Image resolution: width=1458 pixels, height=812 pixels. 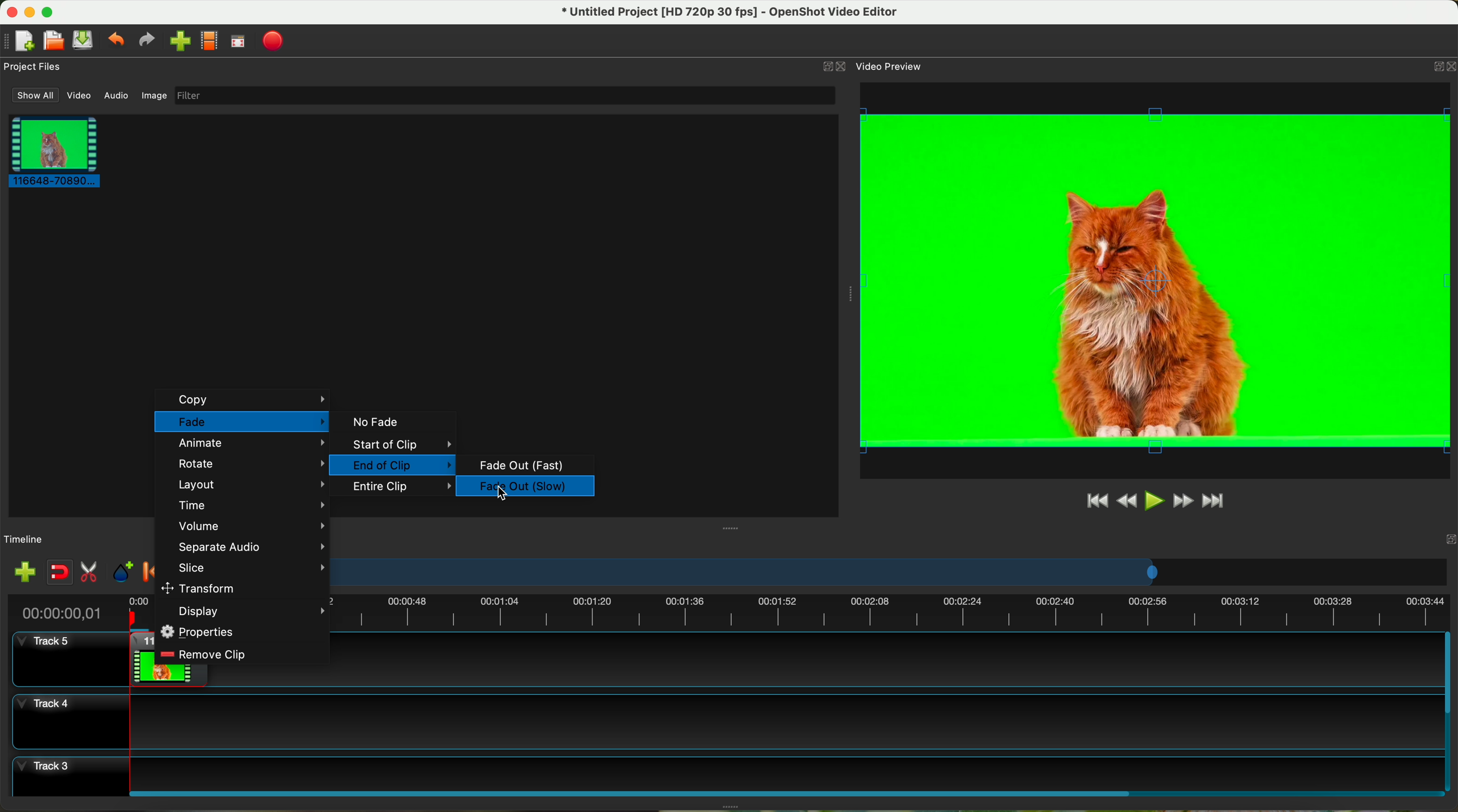 What do you see at coordinates (242, 422) in the screenshot?
I see `fade` at bounding box center [242, 422].